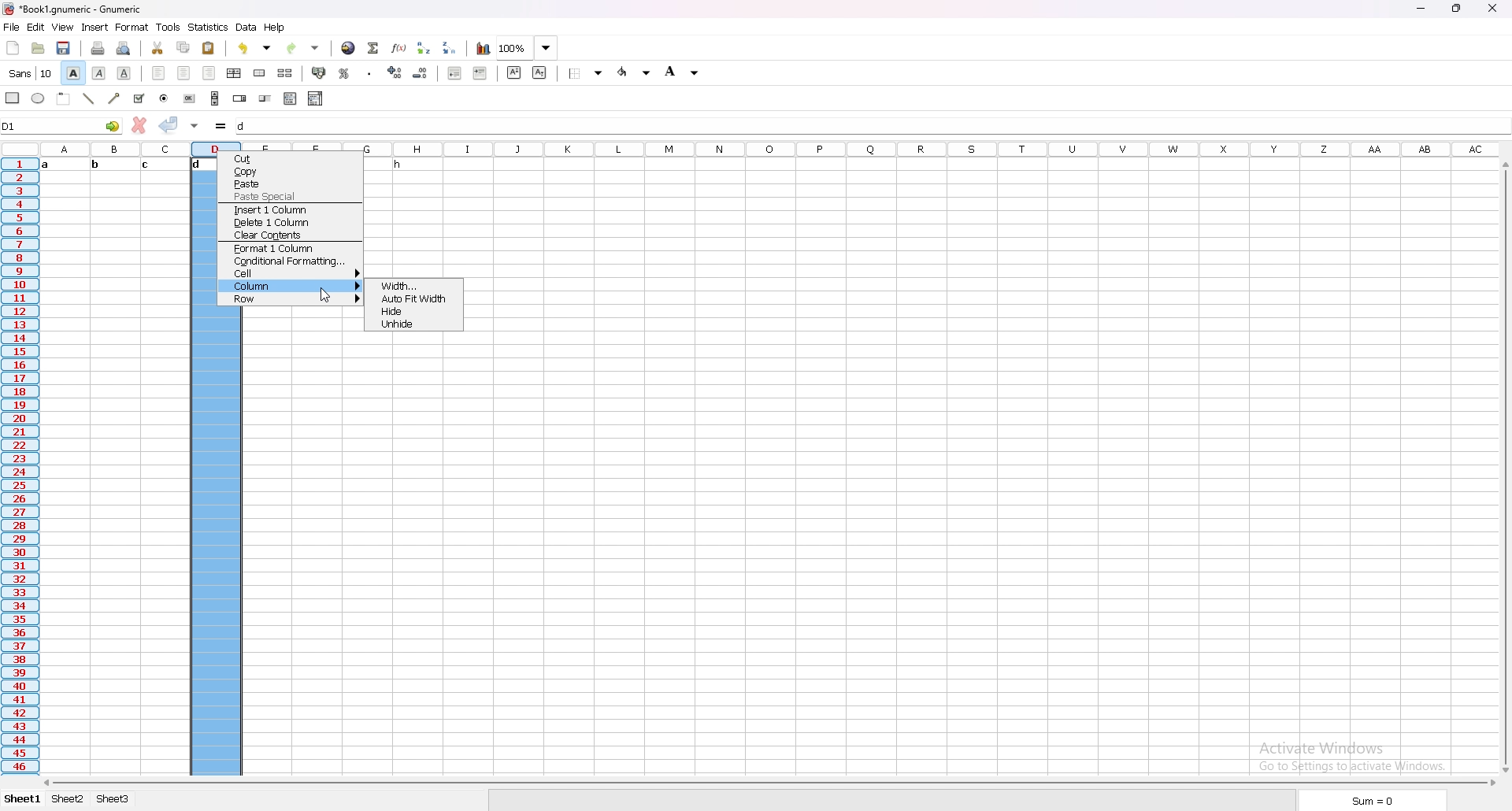  Describe the element at coordinates (396, 72) in the screenshot. I see `increase decimal` at that location.